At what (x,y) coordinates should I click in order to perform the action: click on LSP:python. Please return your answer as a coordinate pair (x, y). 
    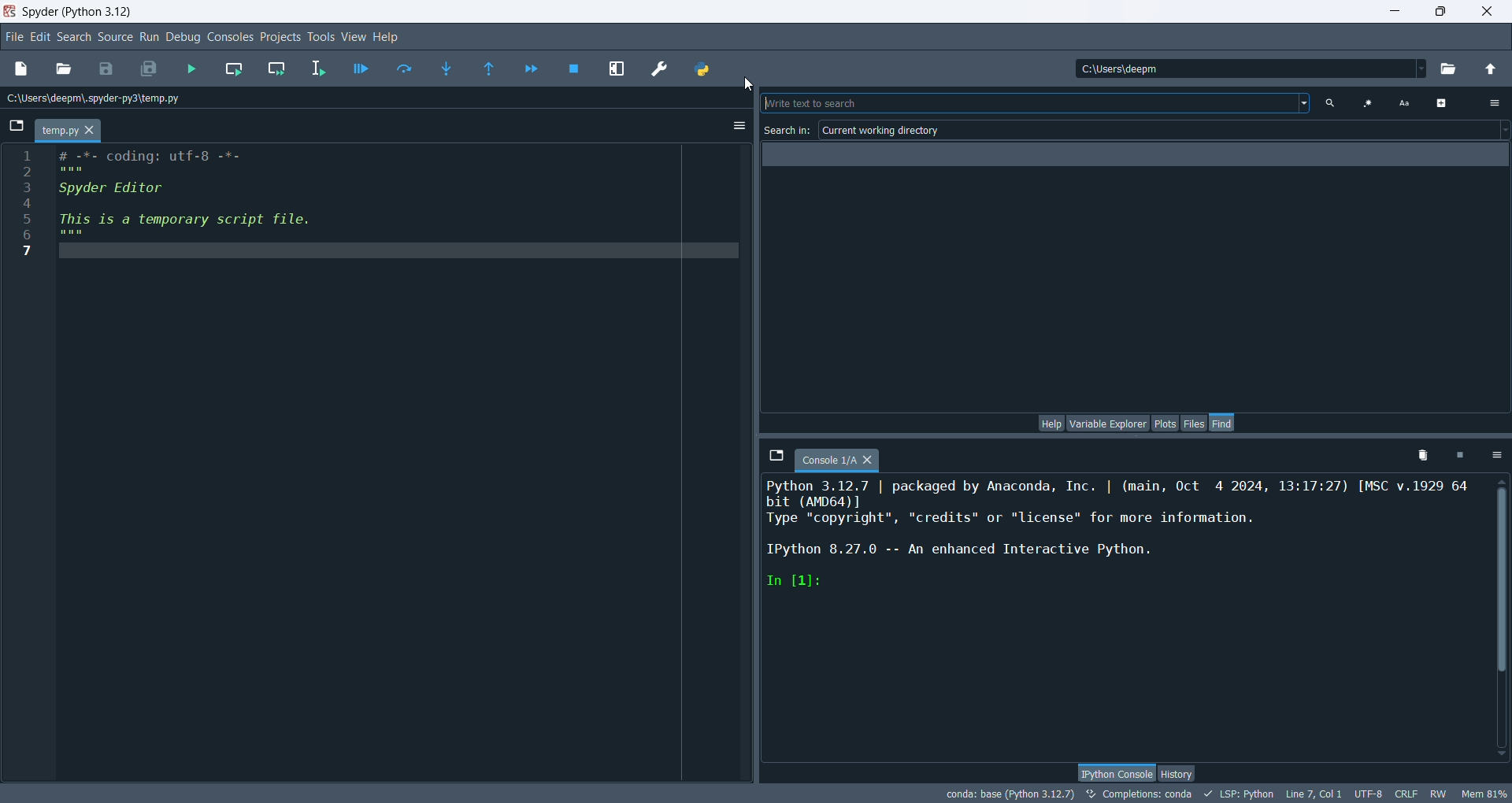
    Looking at the image, I should click on (1239, 794).